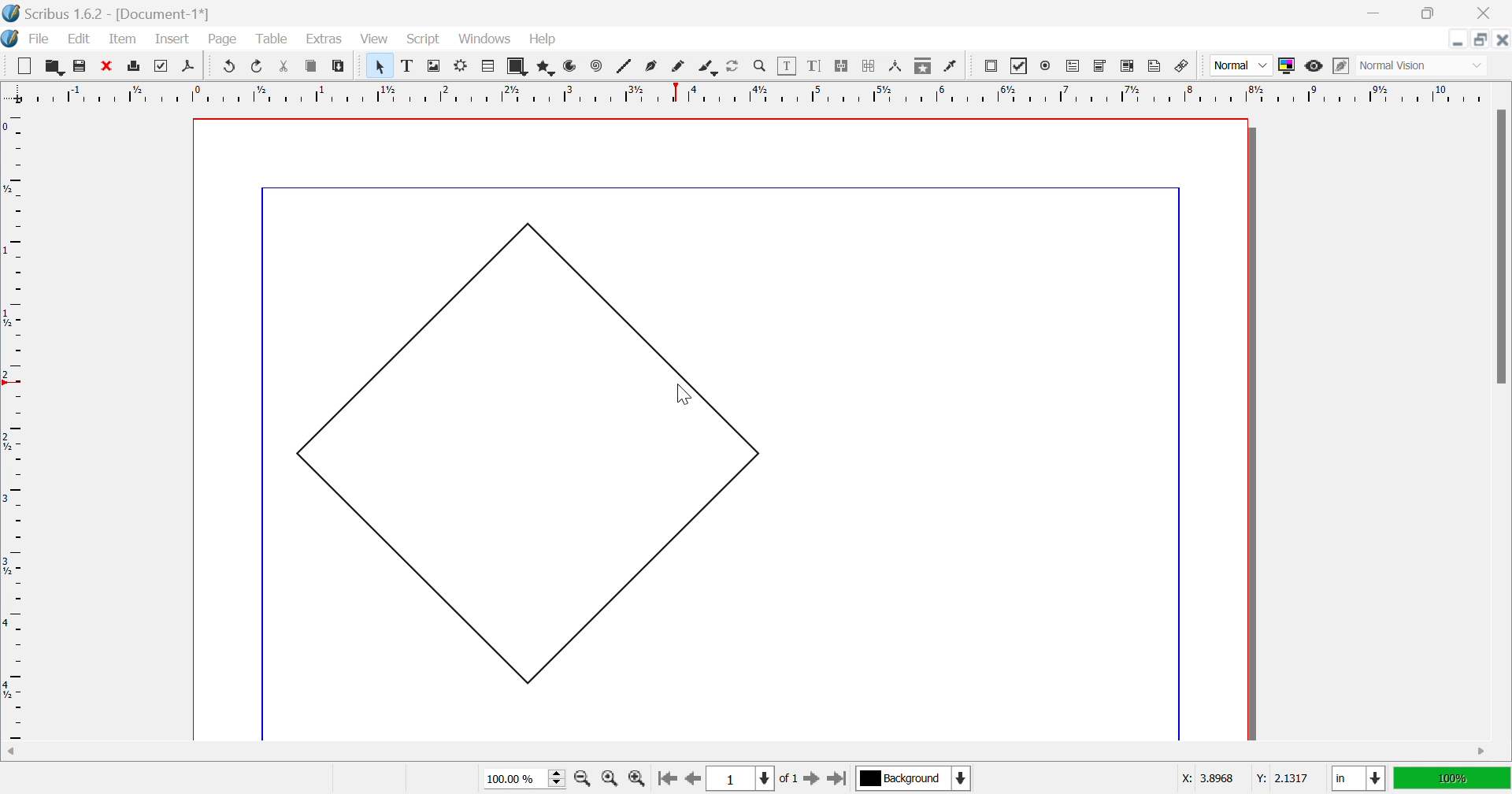  Describe the element at coordinates (341, 66) in the screenshot. I see `Paste` at that location.